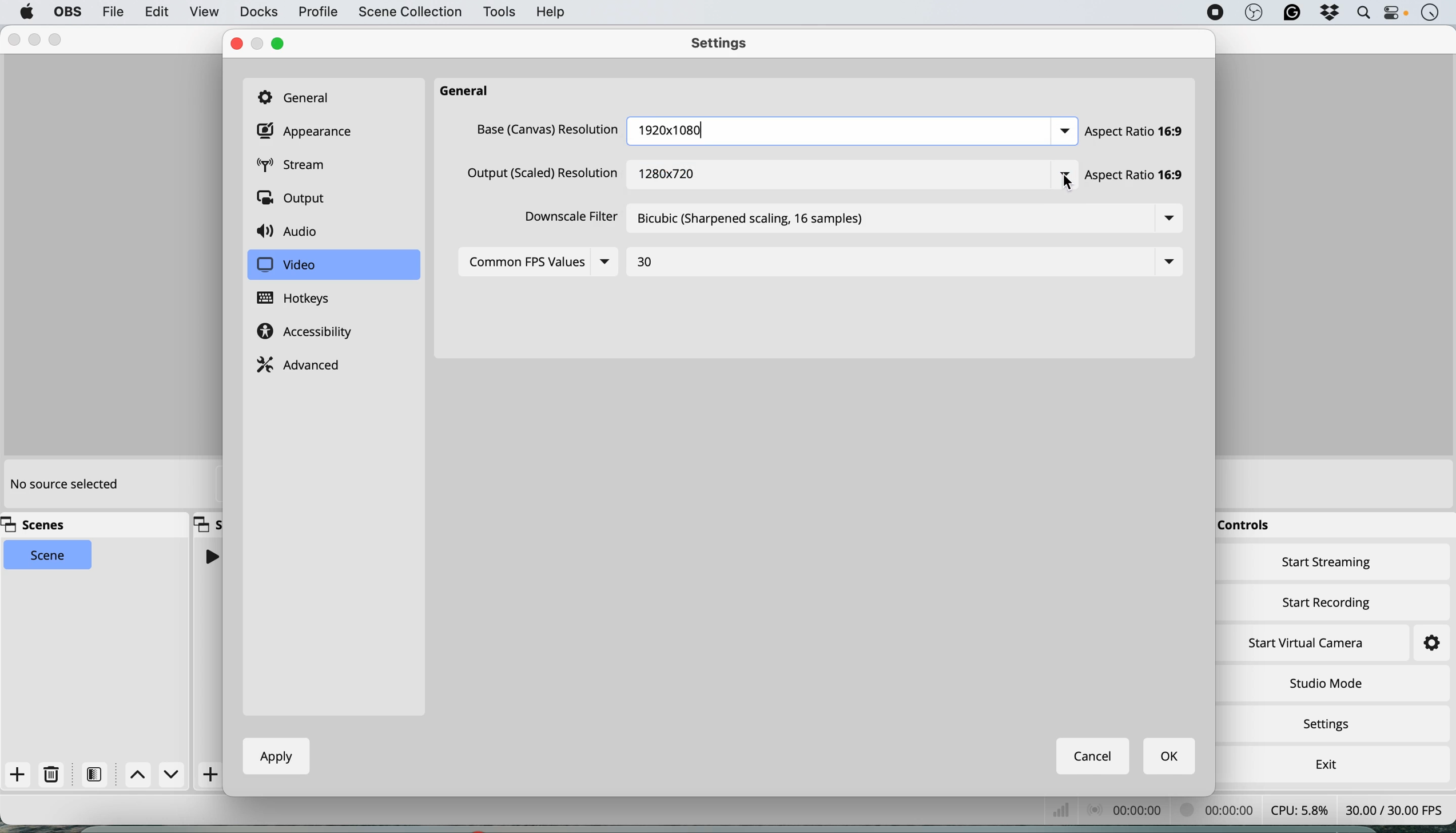 The image size is (1456, 833). I want to click on stream, so click(300, 166).